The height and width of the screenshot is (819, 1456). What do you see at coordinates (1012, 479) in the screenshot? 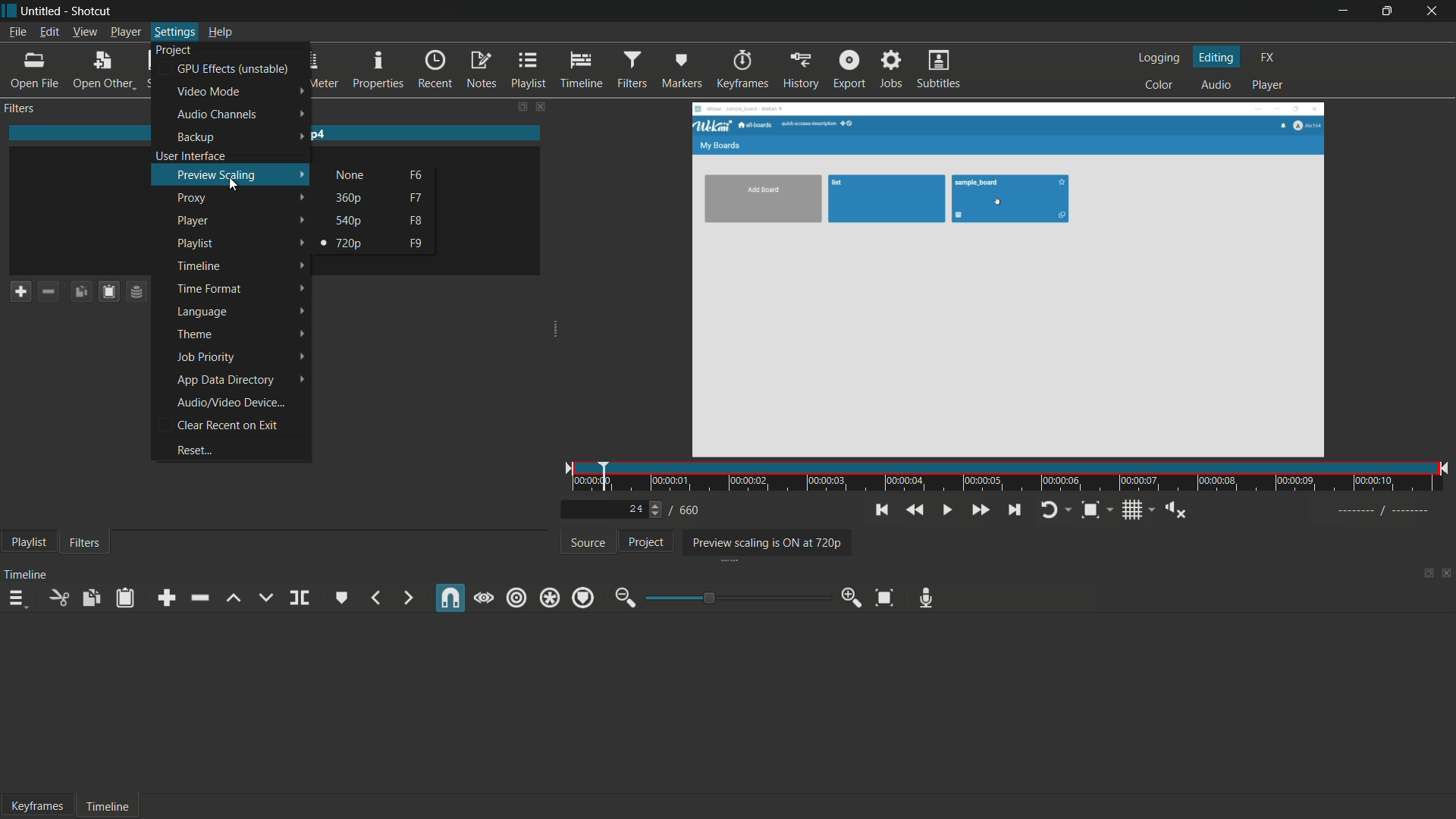
I see `time` at bounding box center [1012, 479].